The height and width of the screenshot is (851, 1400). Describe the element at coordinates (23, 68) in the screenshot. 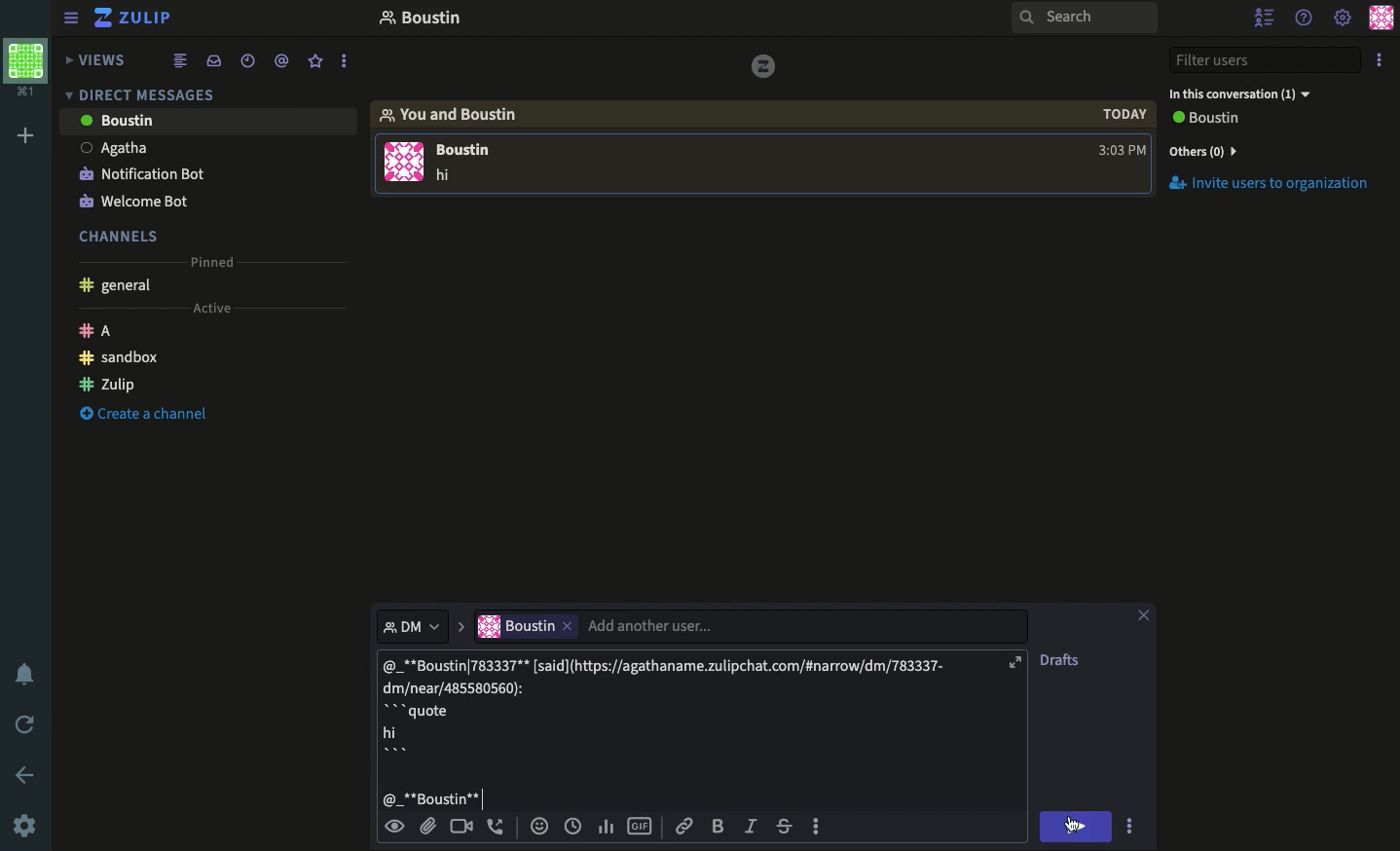

I see `Workspace profile` at that location.